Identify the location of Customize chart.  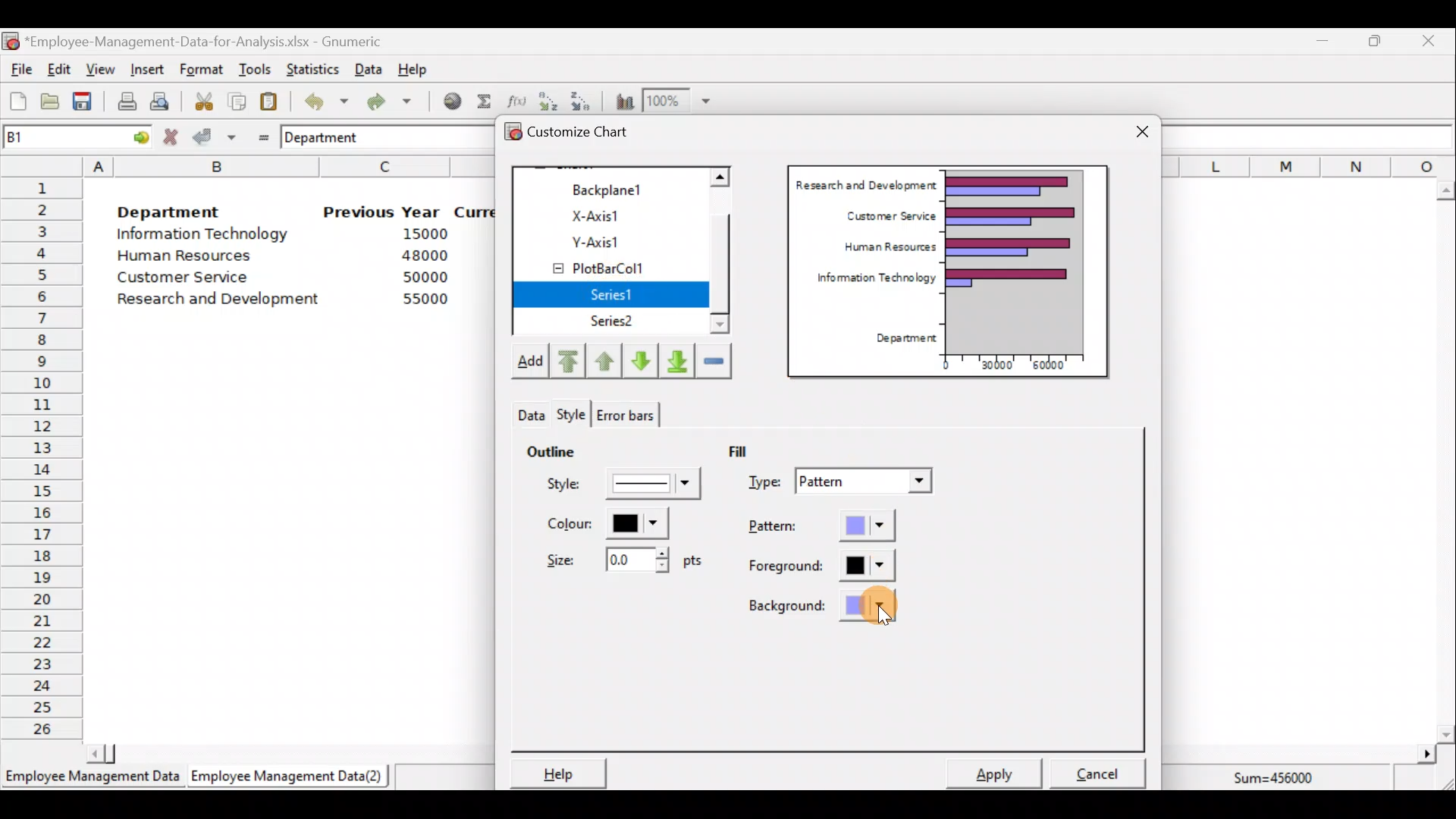
(588, 134).